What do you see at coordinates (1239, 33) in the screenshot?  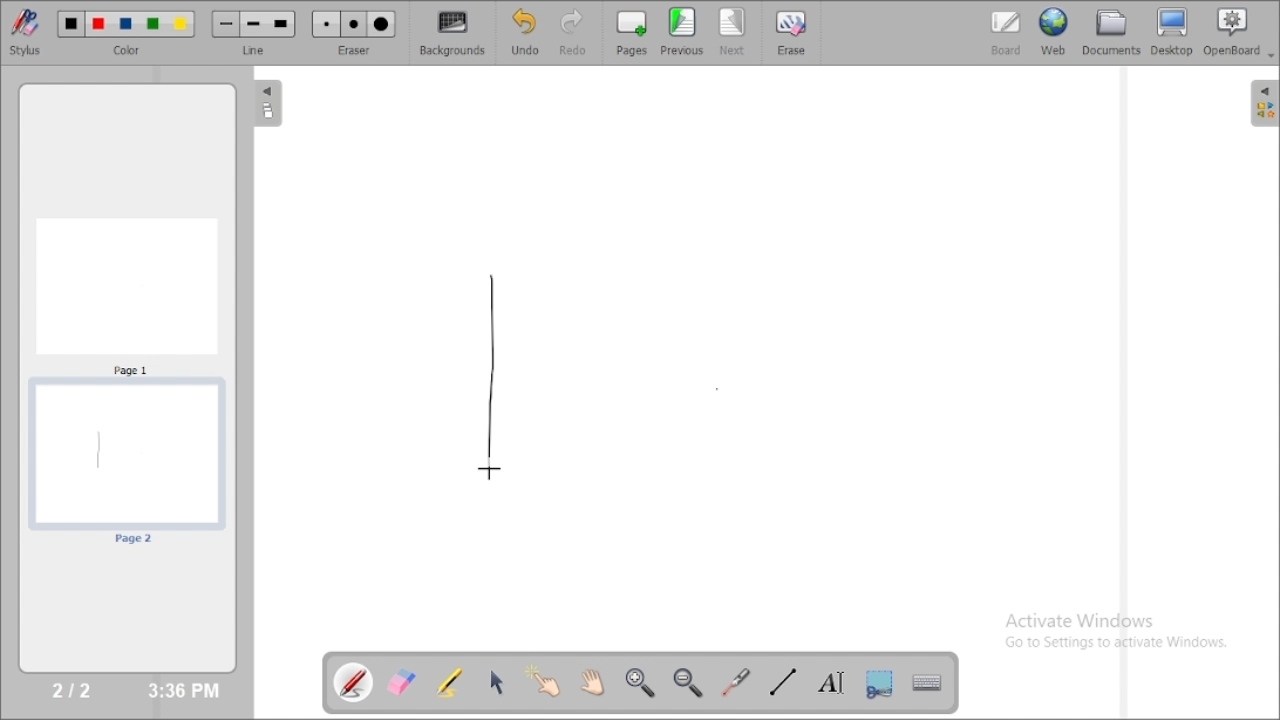 I see `openboard` at bounding box center [1239, 33].